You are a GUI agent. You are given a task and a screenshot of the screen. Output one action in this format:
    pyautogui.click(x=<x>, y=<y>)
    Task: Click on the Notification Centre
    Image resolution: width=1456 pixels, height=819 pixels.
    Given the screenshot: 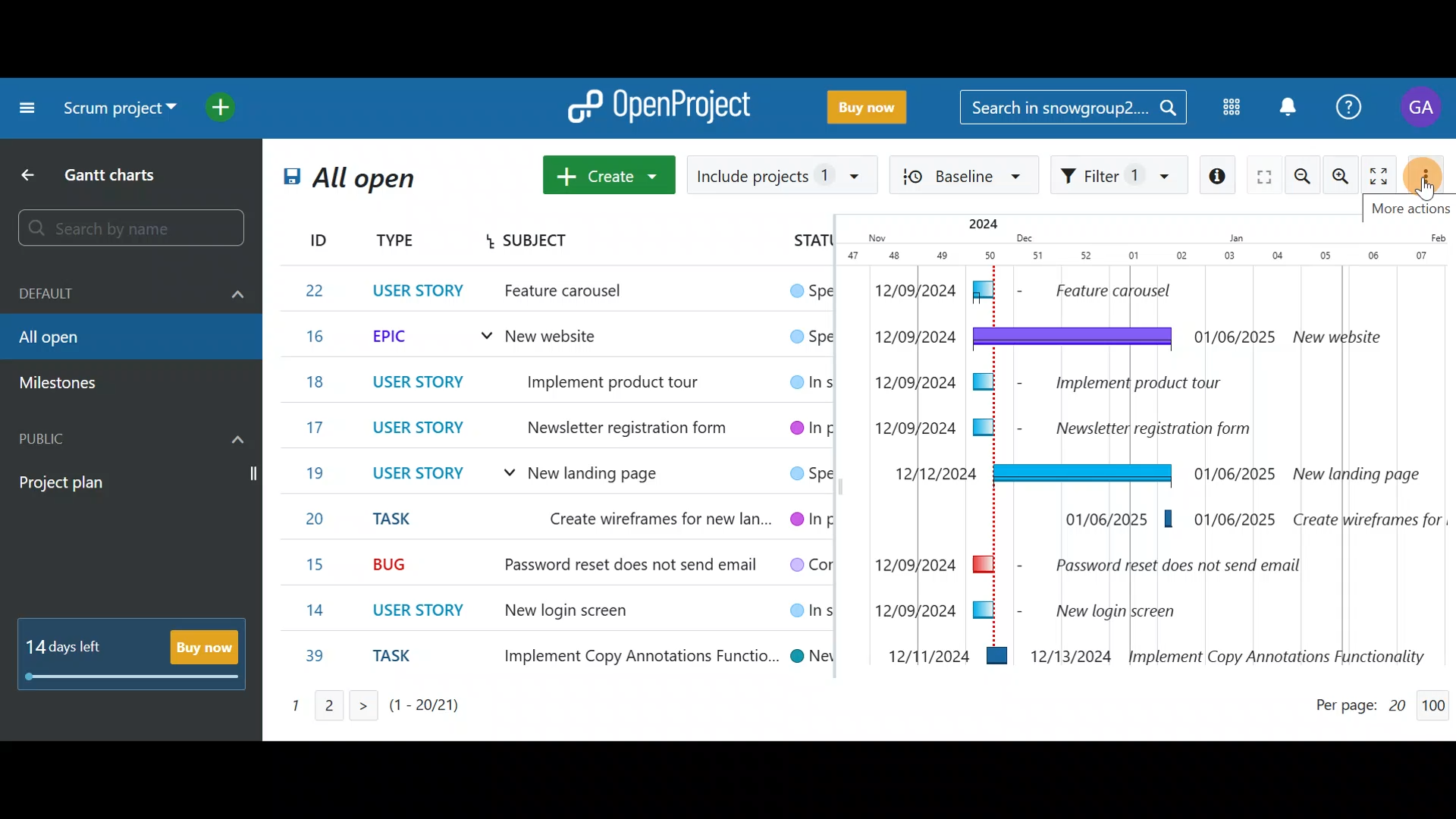 What is the action you would take?
    pyautogui.click(x=1289, y=107)
    